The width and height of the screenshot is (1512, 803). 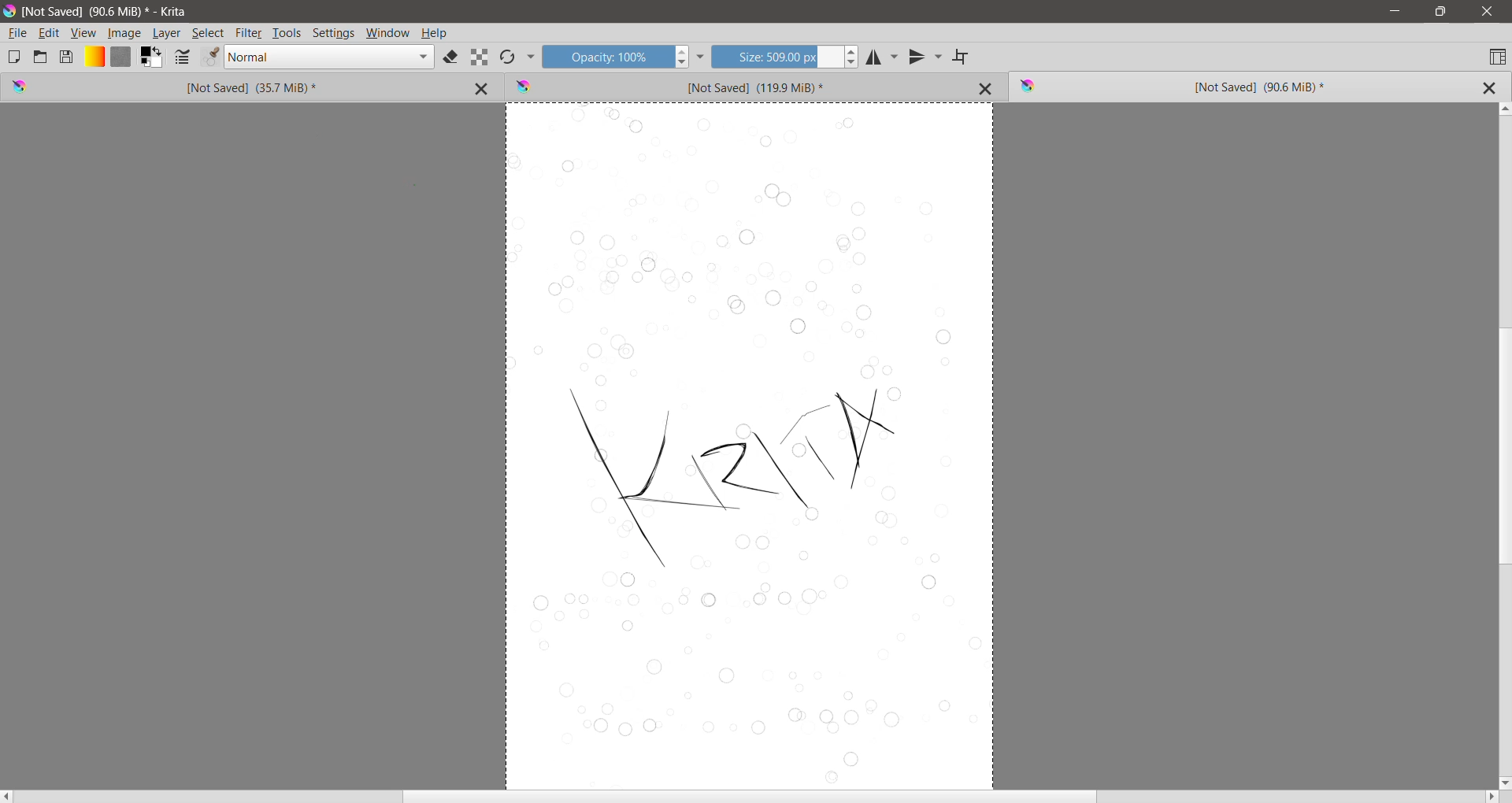 What do you see at coordinates (750, 447) in the screenshot?
I see `Selection` at bounding box center [750, 447].